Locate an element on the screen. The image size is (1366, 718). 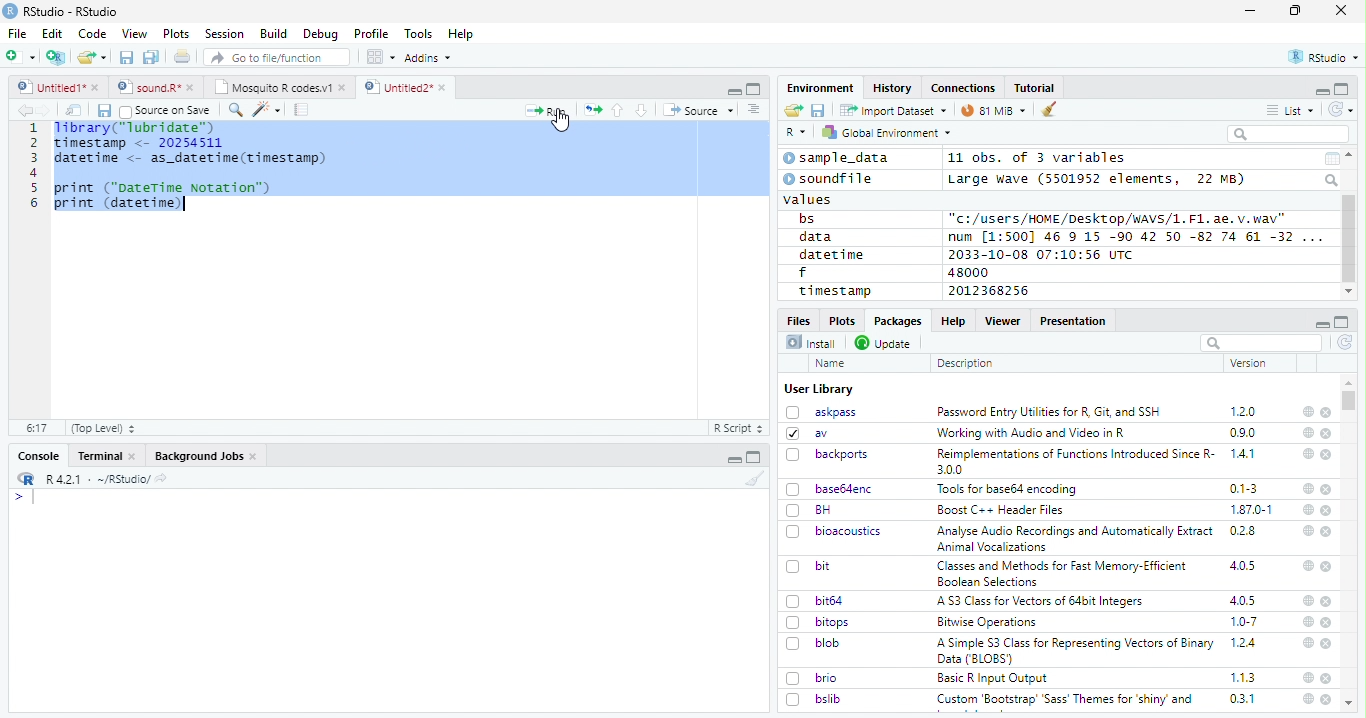
View is located at coordinates (135, 34).